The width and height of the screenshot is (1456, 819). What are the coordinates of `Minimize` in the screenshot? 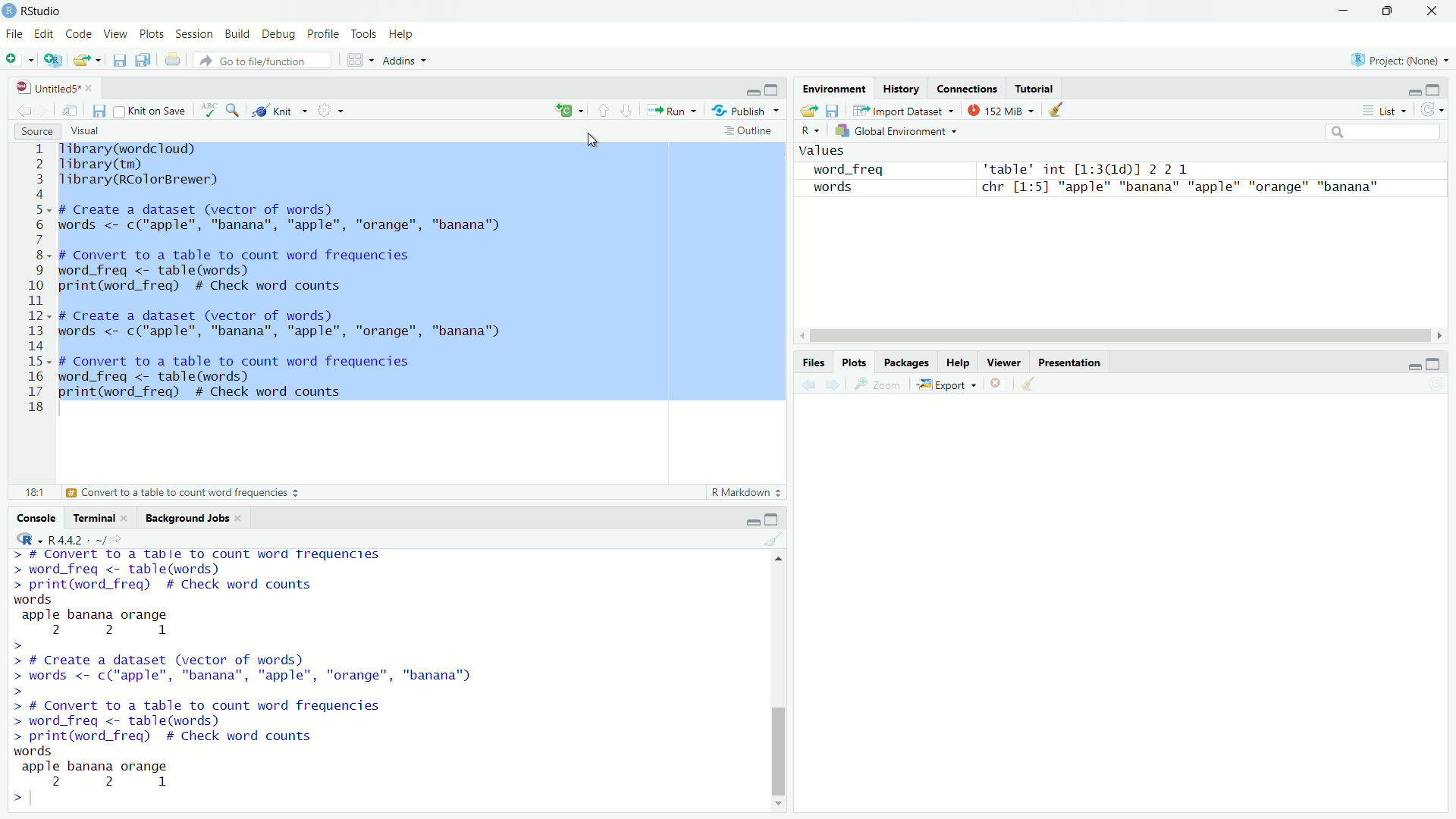 It's located at (754, 523).